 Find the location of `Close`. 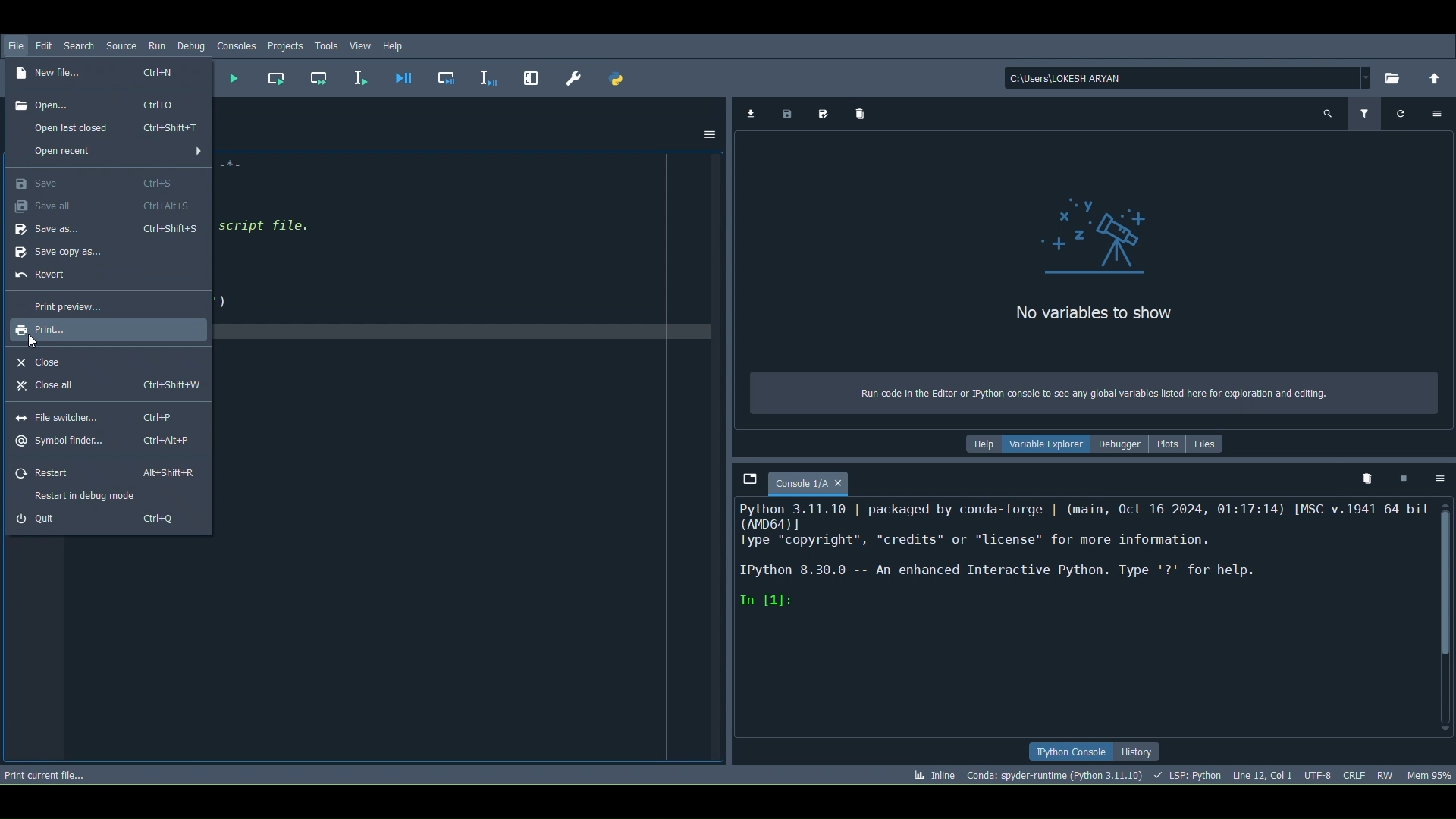

Close is located at coordinates (47, 362).